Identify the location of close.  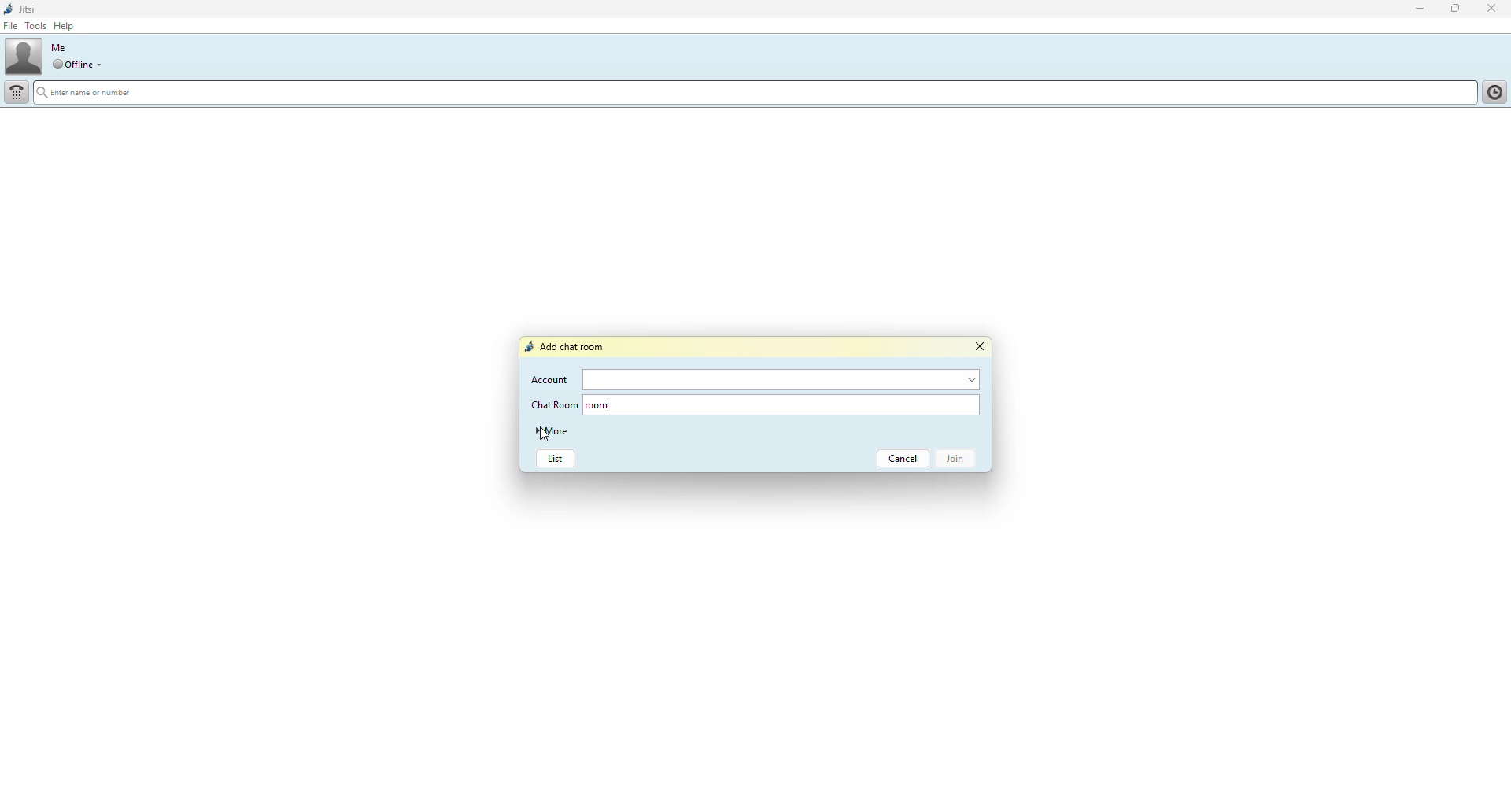
(1494, 8).